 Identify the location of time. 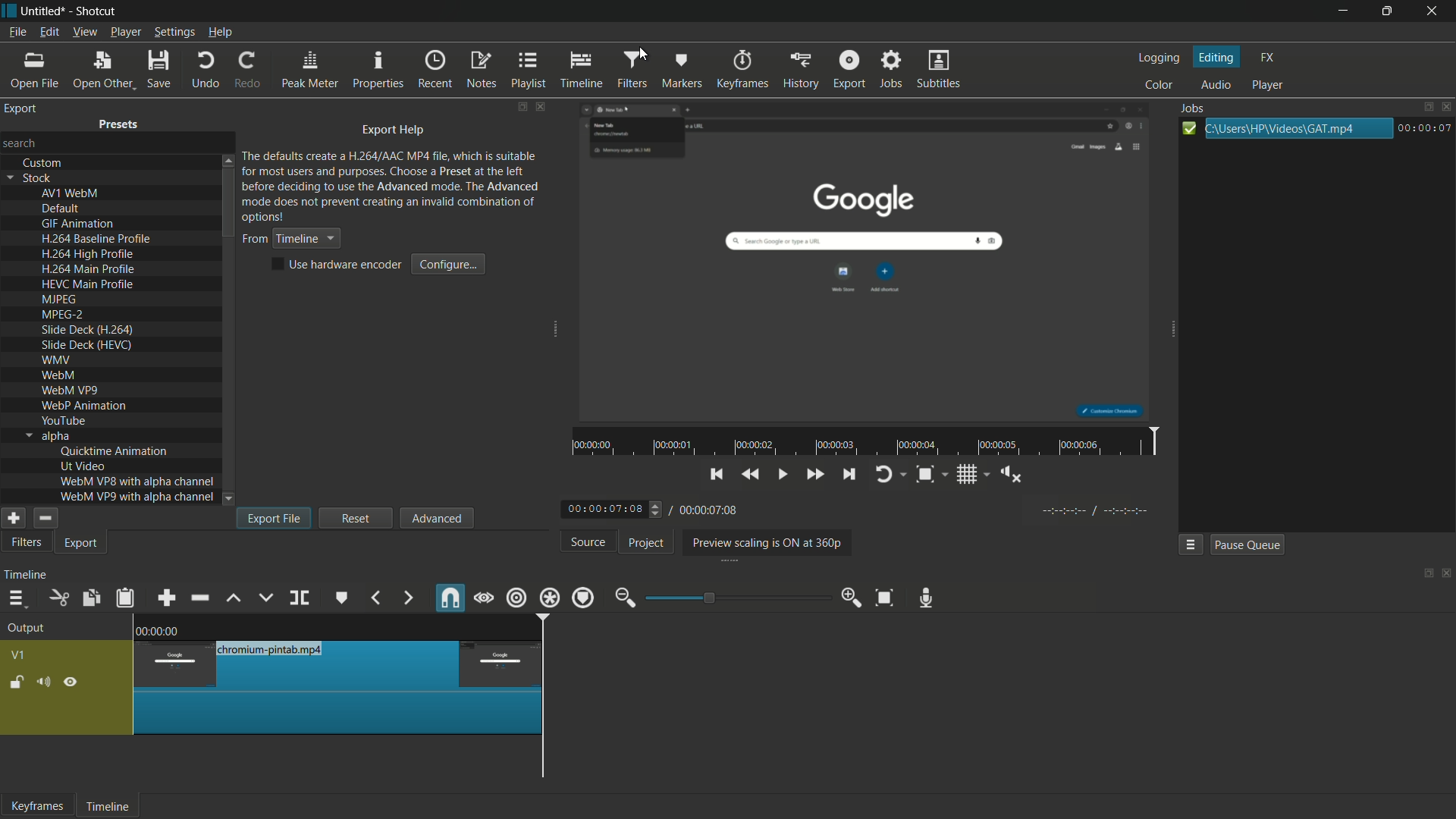
(868, 441).